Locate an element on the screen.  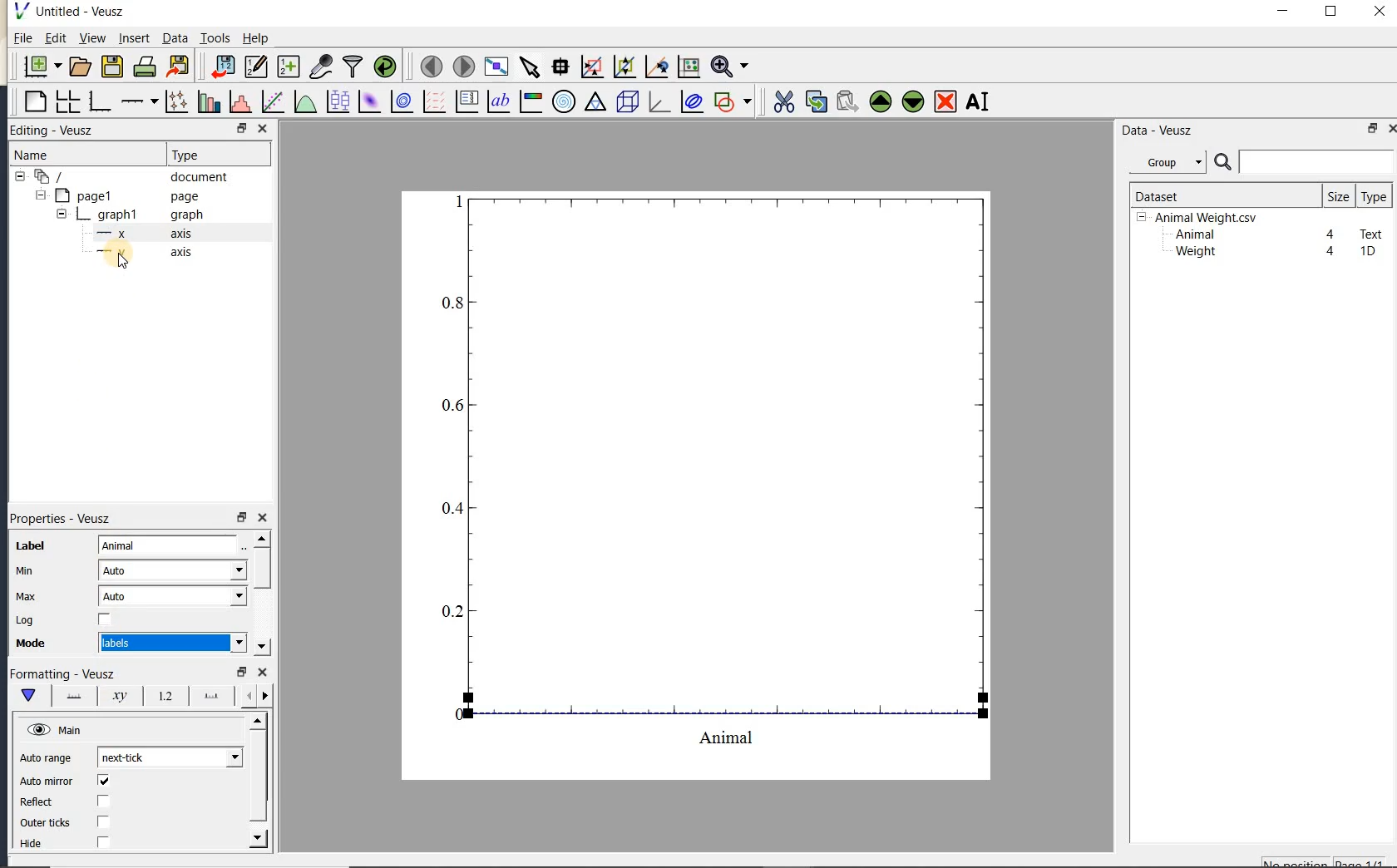
size is located at coordinates (1338, 195).